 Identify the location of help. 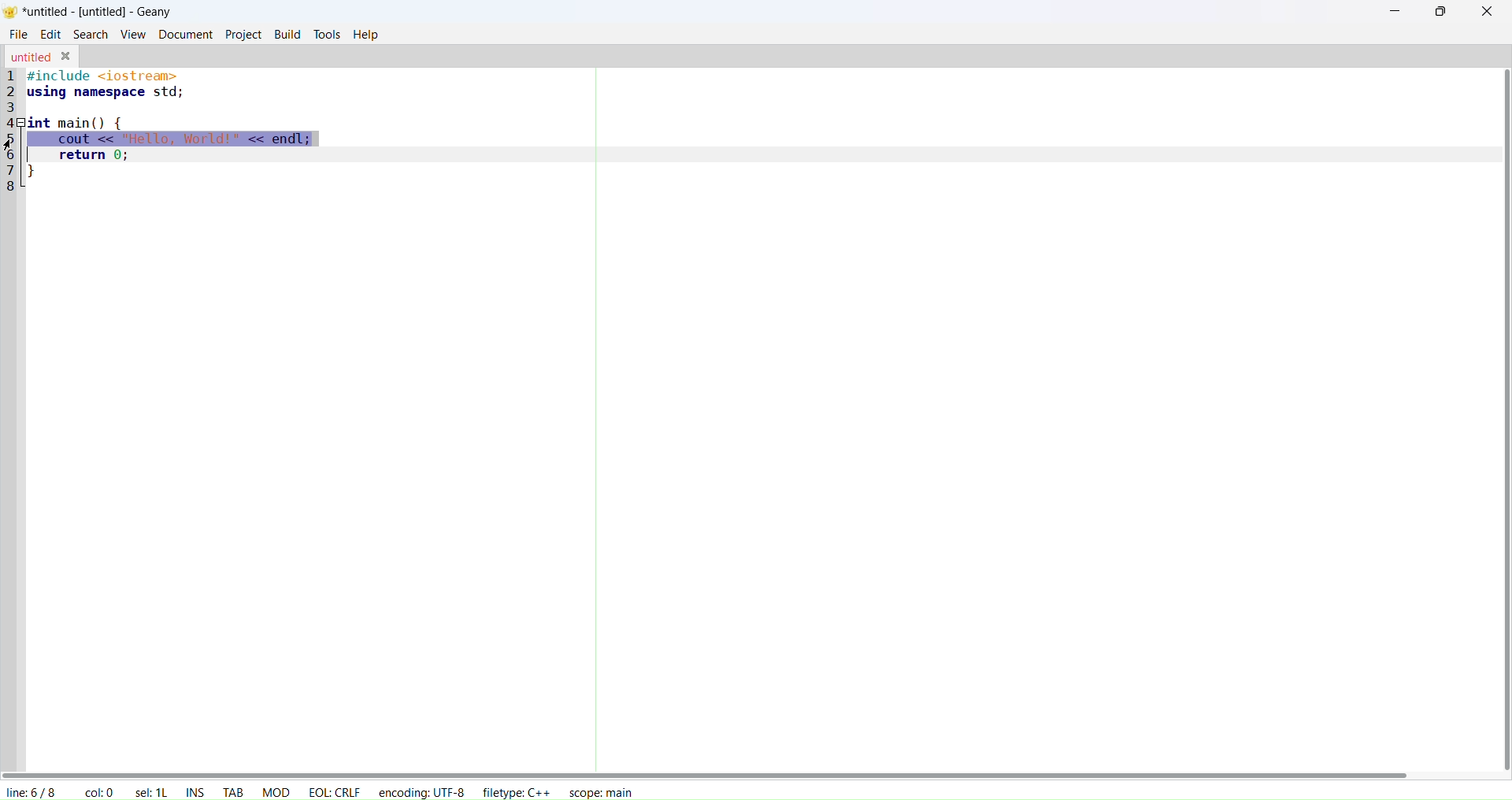
(368, 35).